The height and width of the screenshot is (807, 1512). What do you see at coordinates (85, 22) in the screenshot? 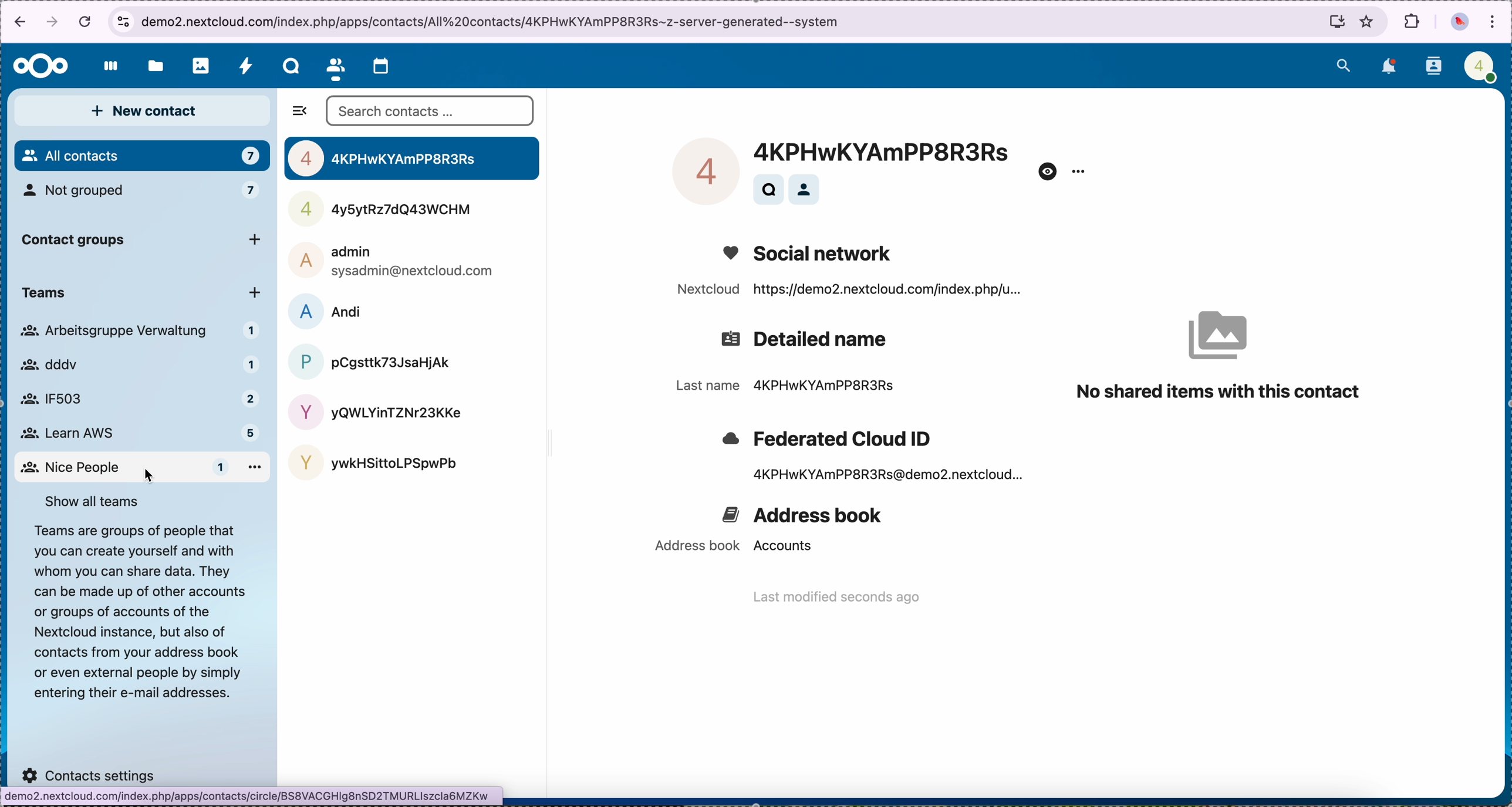
I see `cancel` at bounding box center [85, 22].